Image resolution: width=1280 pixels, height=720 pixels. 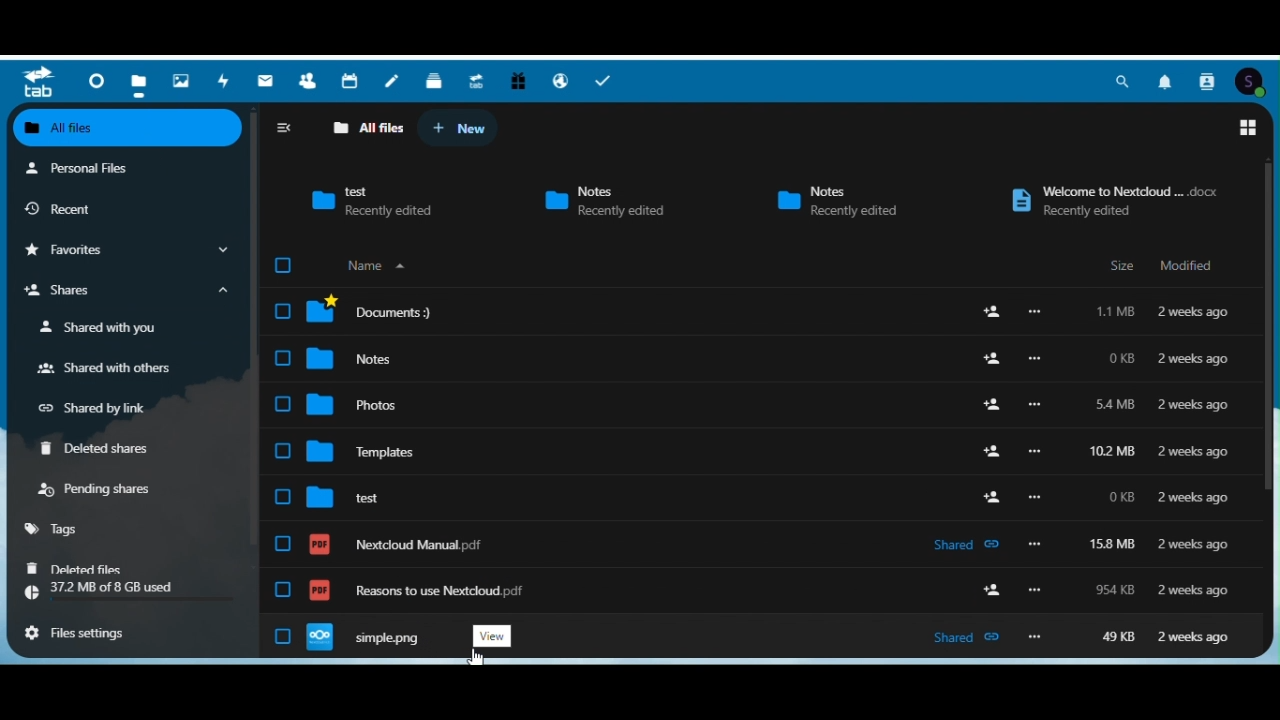 I want to click on checkbox, so click(x=283, y=404).